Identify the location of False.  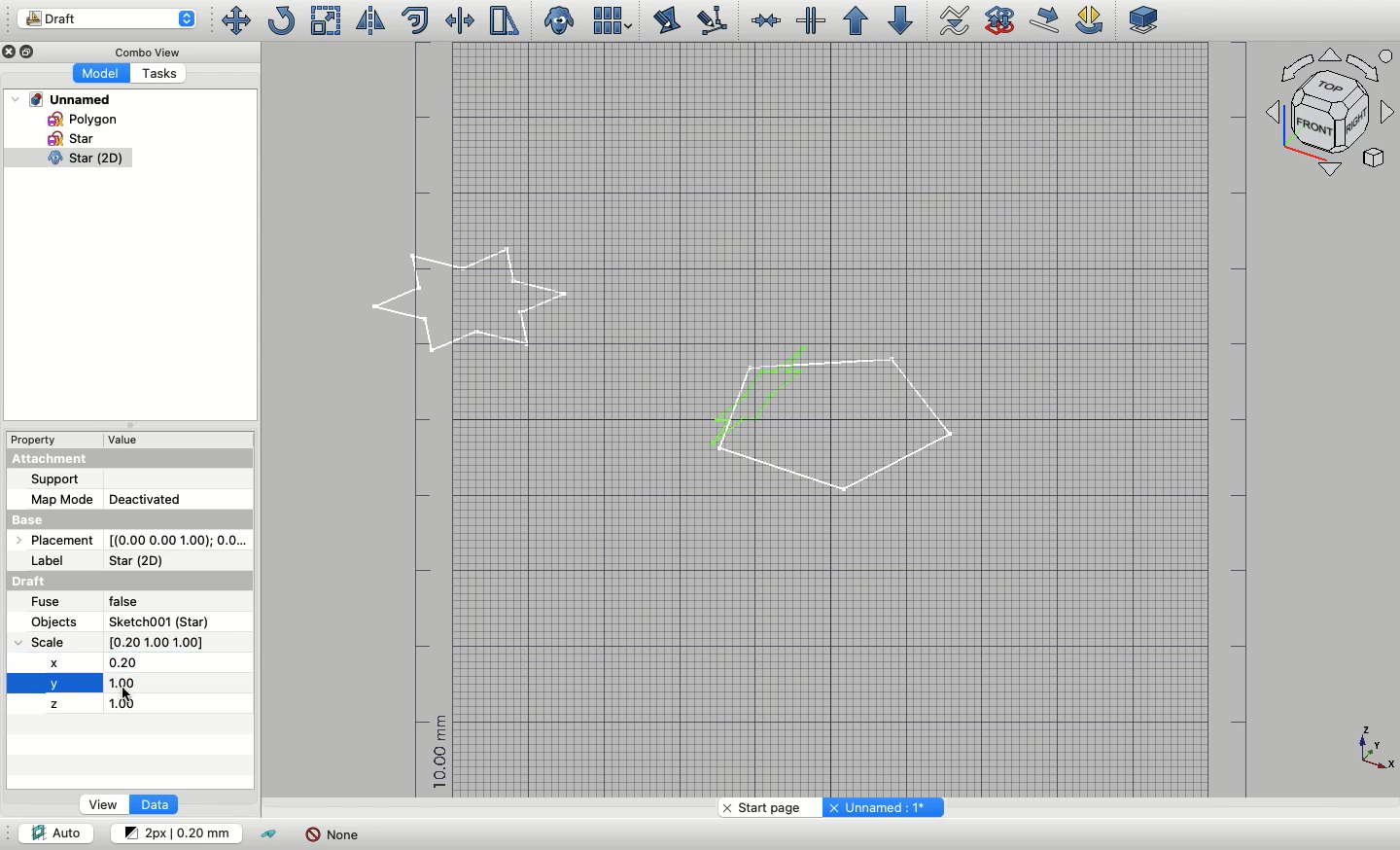
(138, 602).